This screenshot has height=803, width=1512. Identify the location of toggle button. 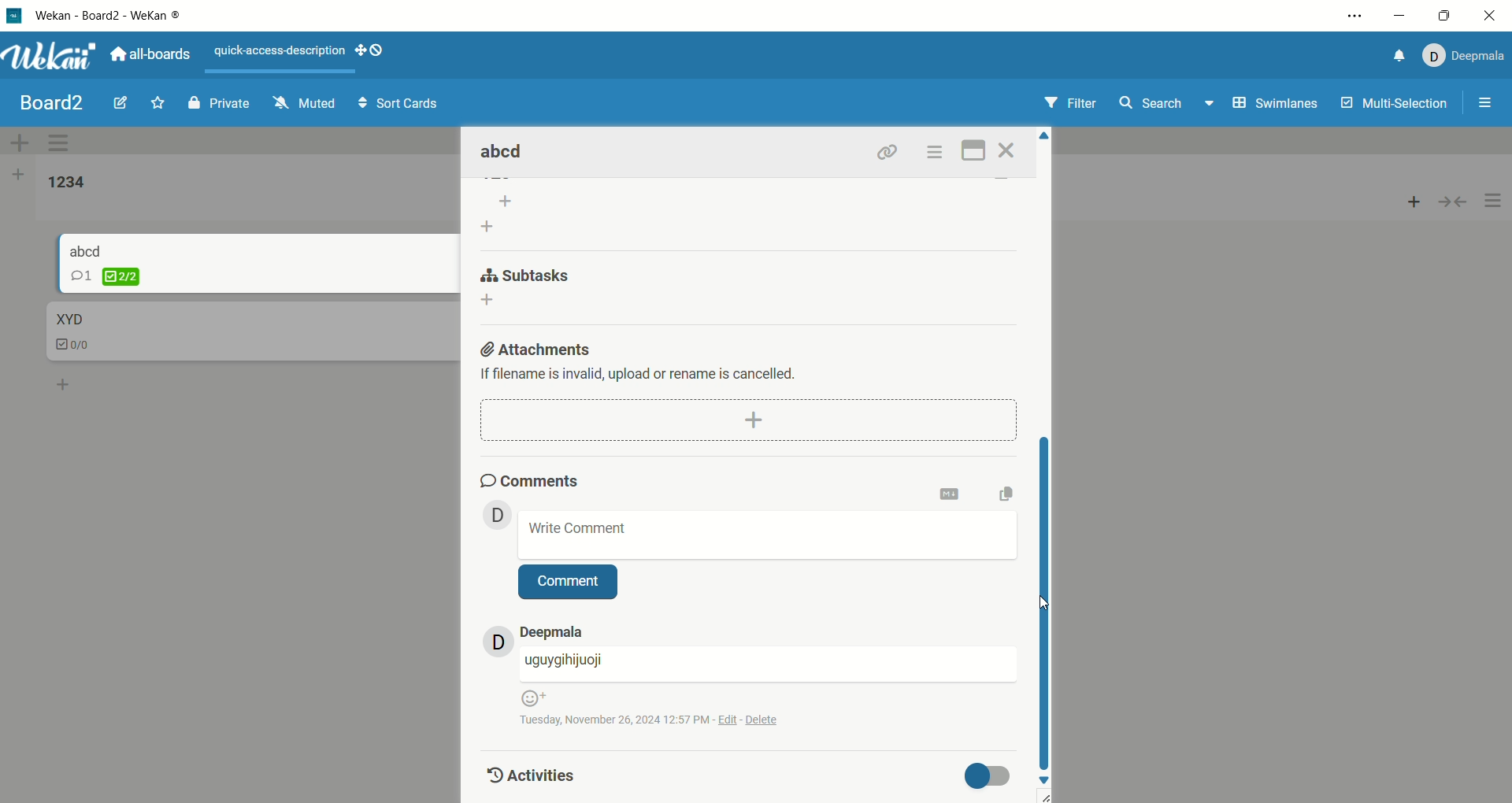
(991, 776).